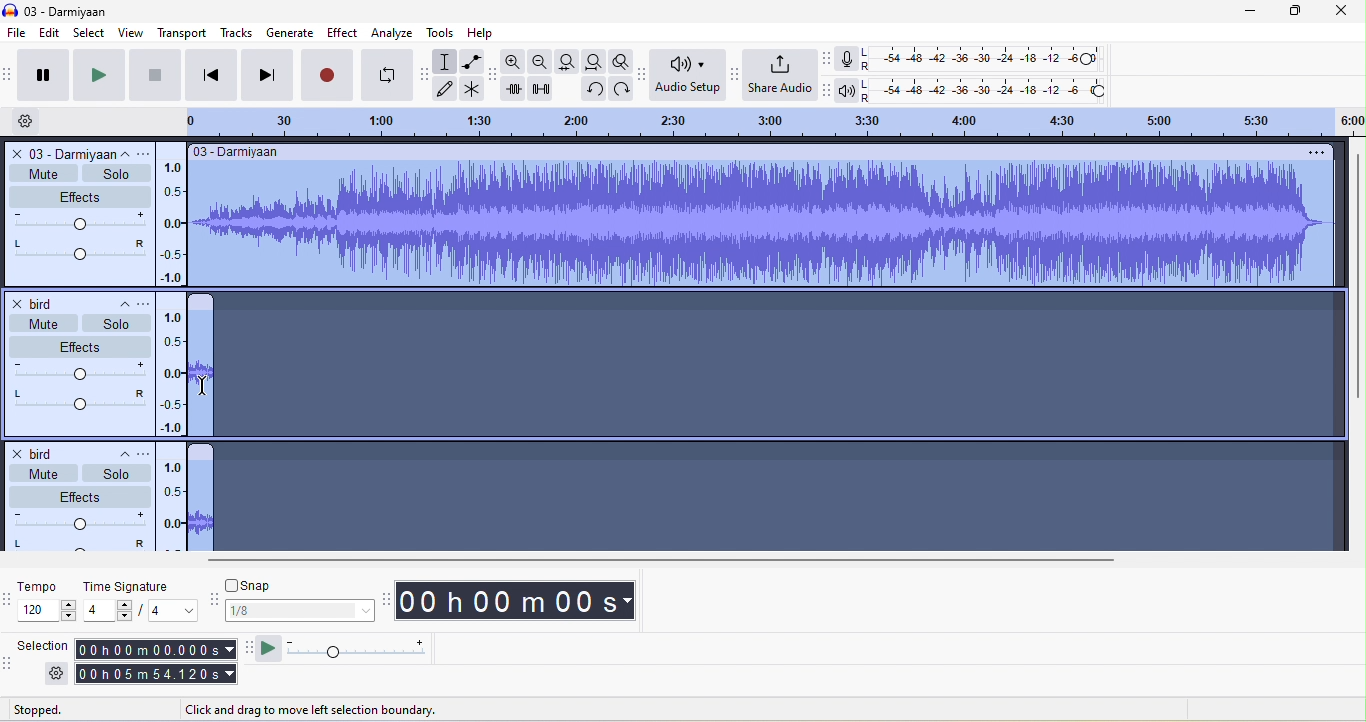 This screenshot has width=1366, height=722. I want to click on stopped, so click(61, 709).